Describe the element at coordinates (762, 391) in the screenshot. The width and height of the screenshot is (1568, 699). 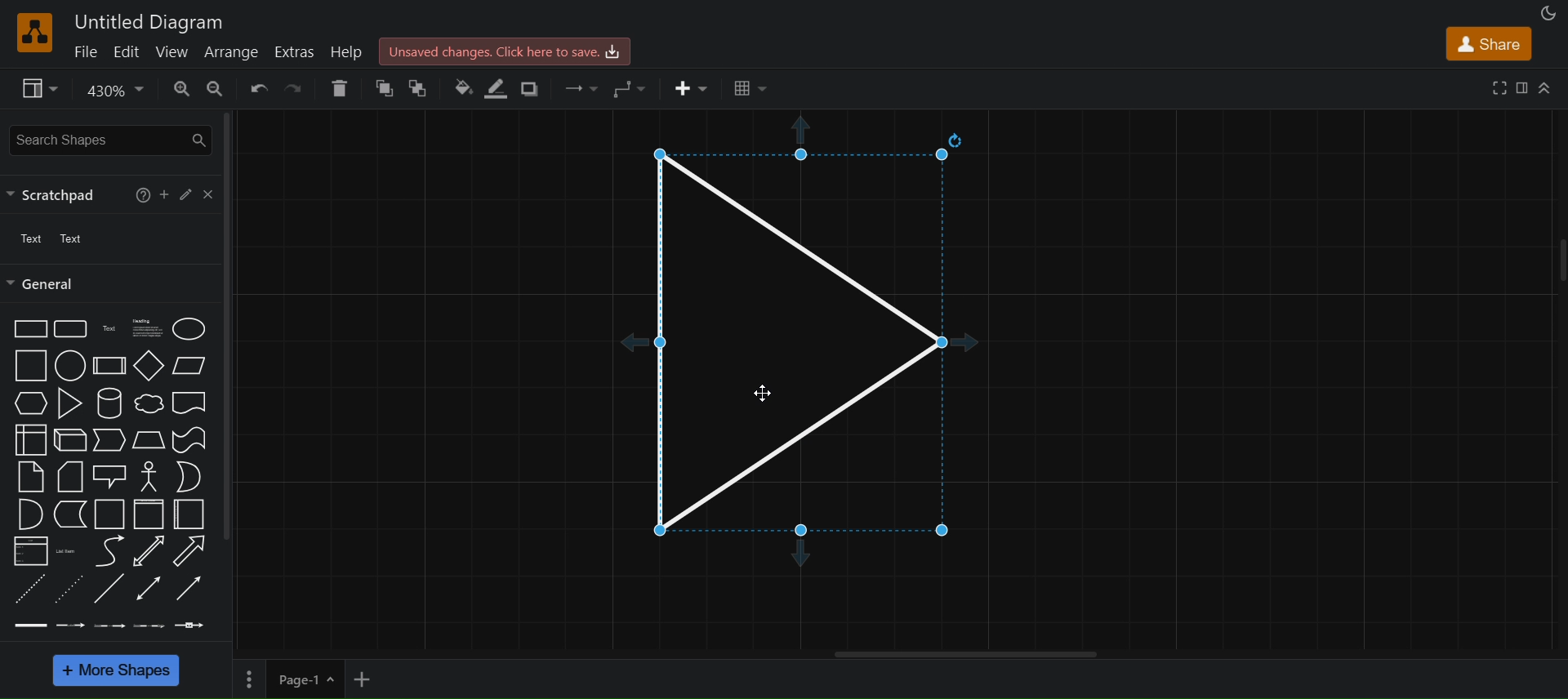
I see `Cursor` at that location.